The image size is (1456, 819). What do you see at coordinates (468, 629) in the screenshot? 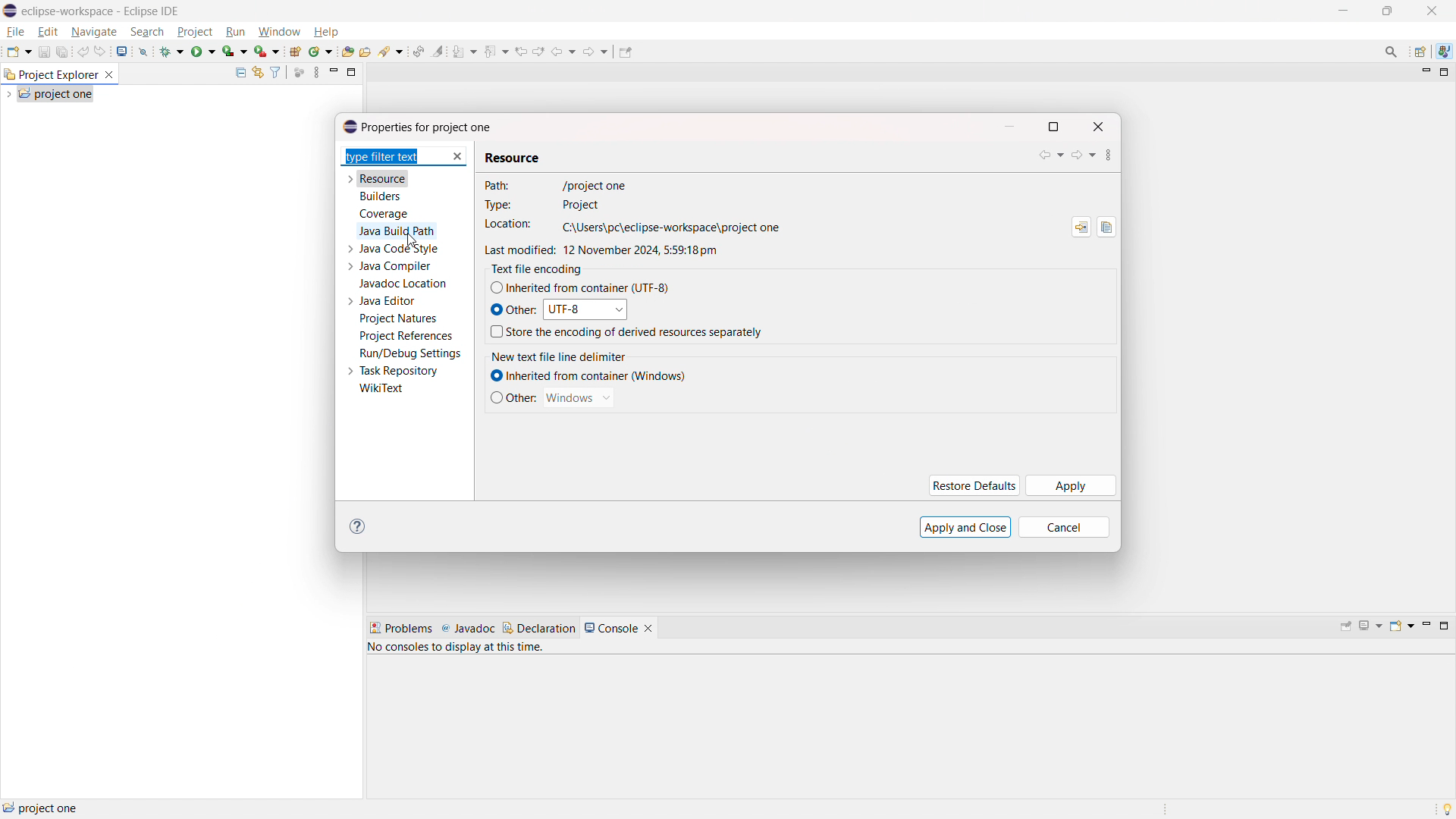
I see `javadoc` at bounding box center [468, 629].